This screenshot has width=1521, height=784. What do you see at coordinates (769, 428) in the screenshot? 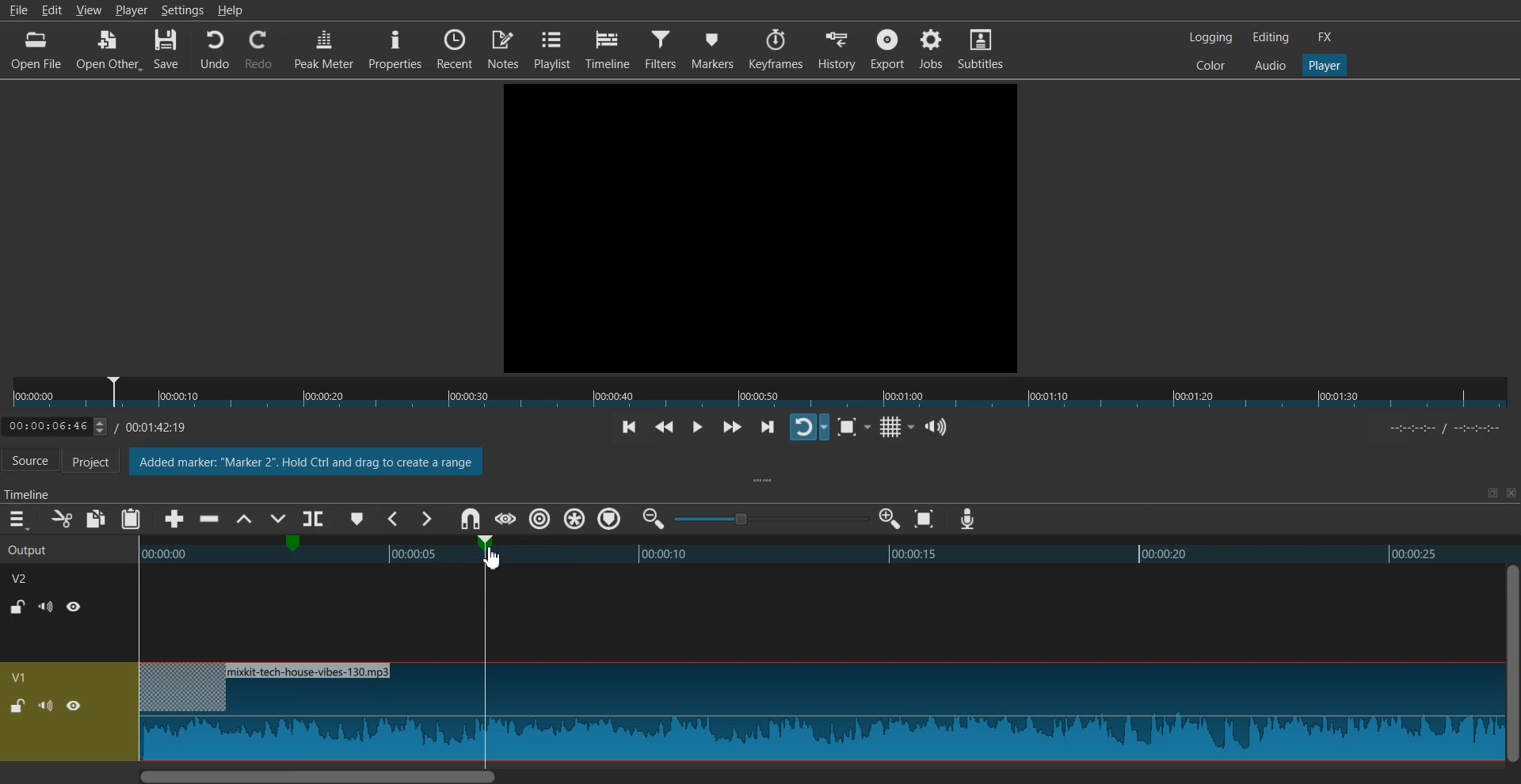
I see `Skip to next point` at bounding box center [769, 428].